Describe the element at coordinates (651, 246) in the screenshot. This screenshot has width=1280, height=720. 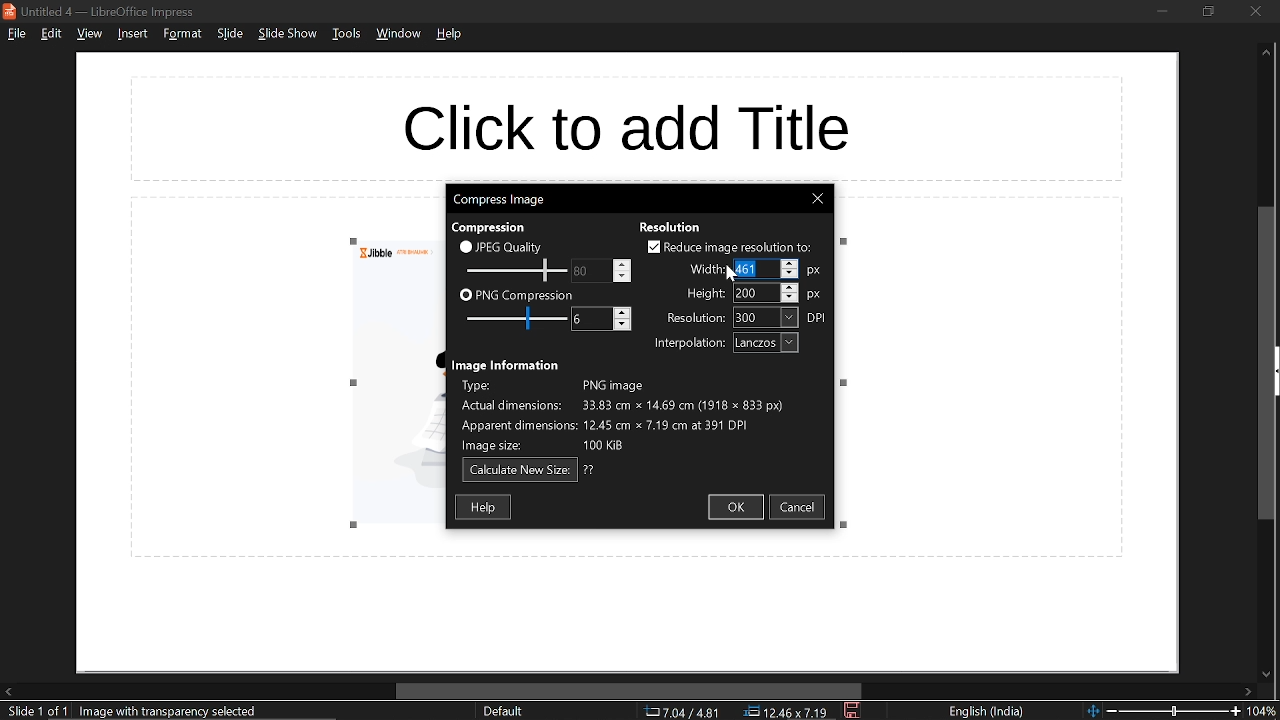
I see `checkbox` at that location.